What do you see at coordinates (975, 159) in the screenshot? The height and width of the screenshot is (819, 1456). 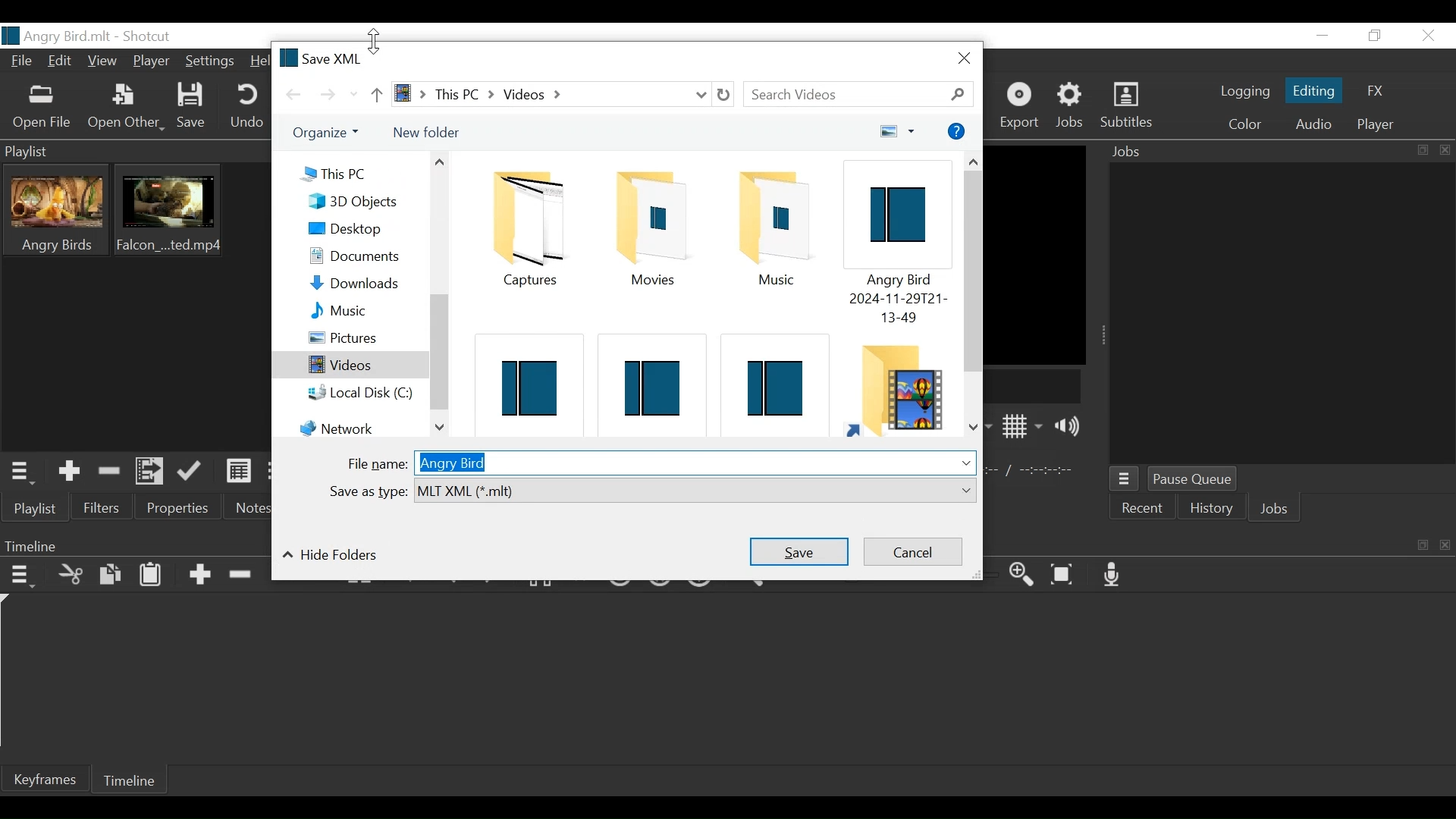 I see `Scroll up` at bounding box center [975, 159].